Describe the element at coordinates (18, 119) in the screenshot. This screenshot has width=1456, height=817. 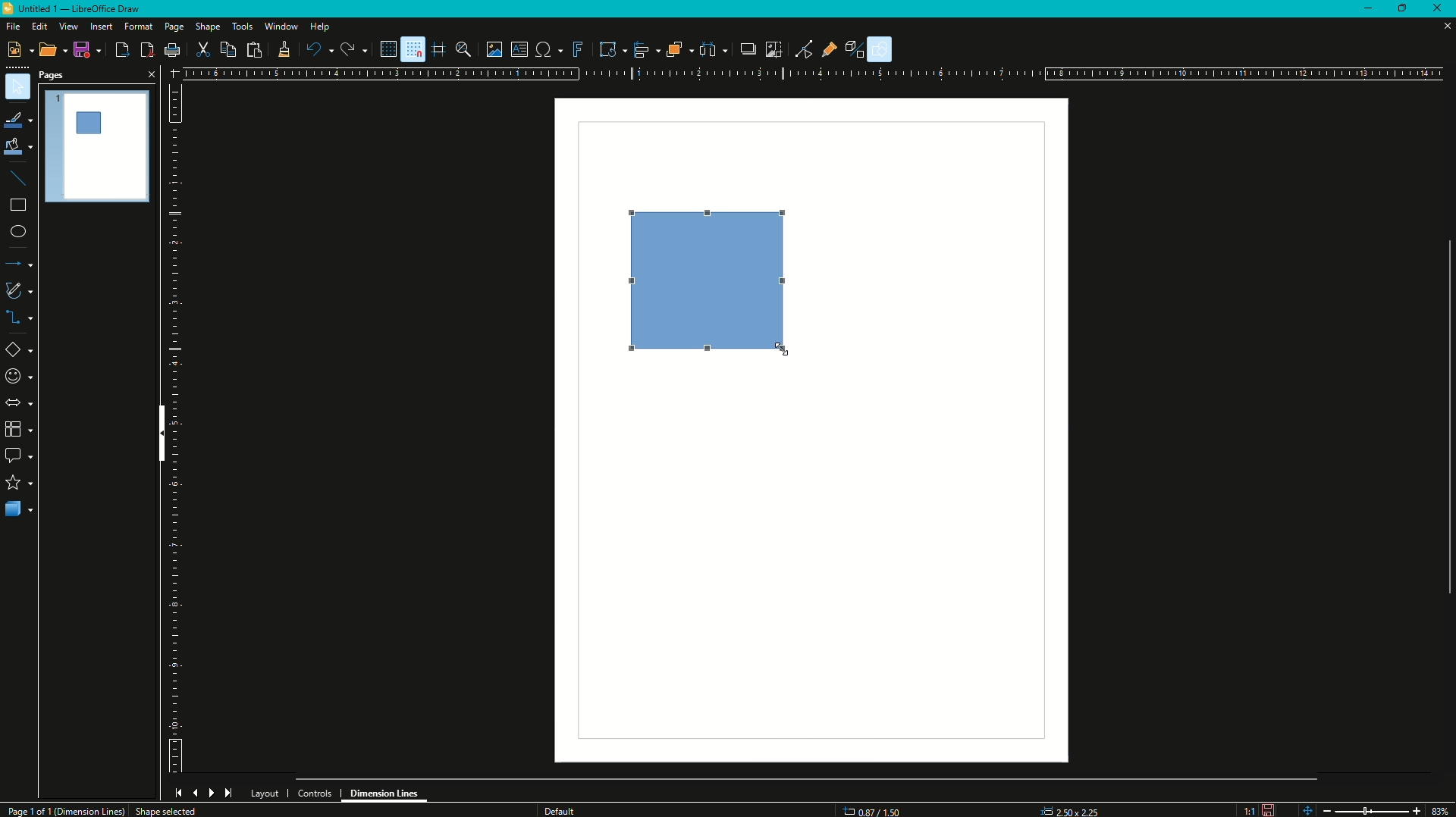
I see `Line Color` at that location.